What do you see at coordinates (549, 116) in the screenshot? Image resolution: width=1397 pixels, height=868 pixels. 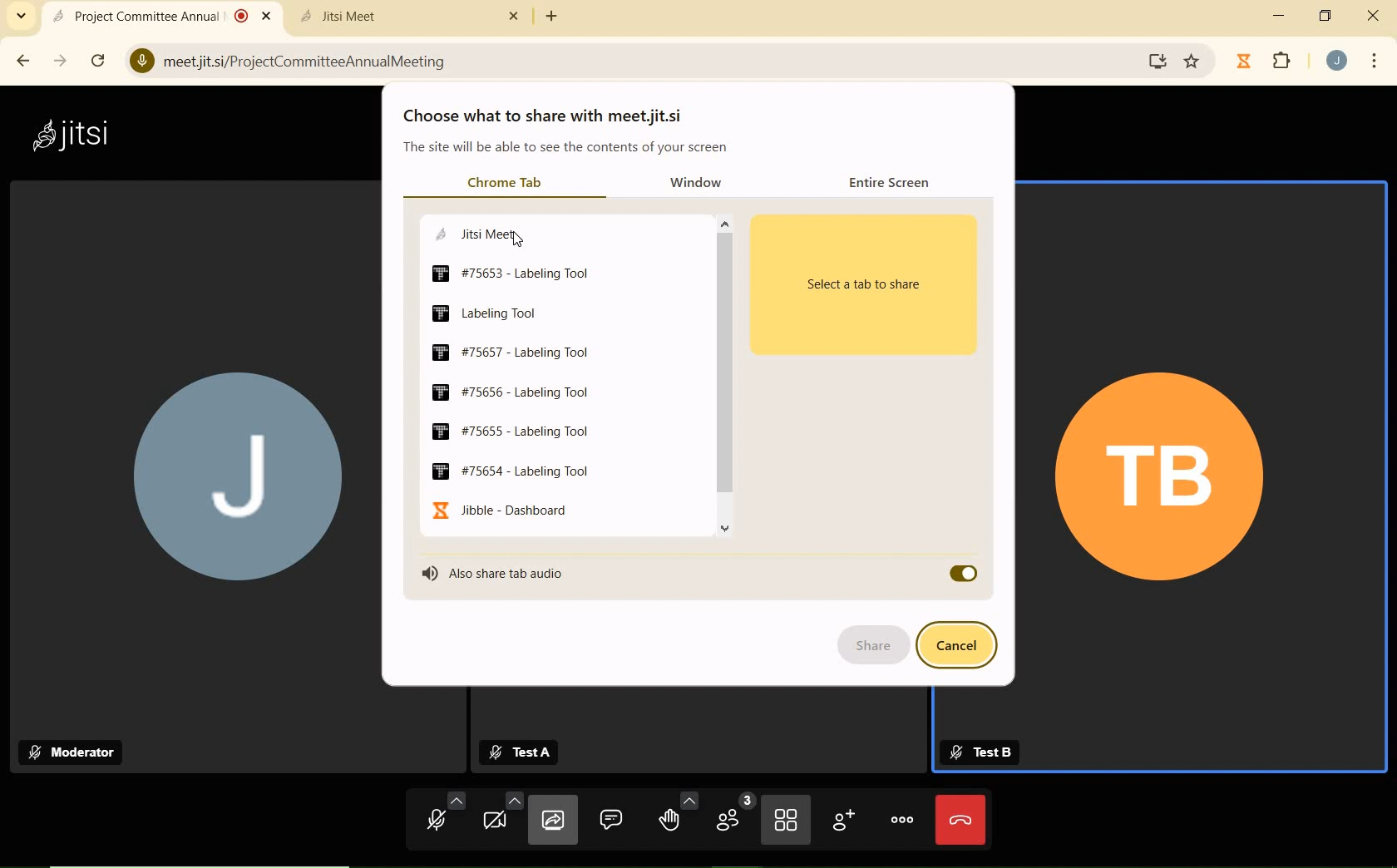 I see `choose what to share with meet.jit.si` at bounding box center [549, 116].